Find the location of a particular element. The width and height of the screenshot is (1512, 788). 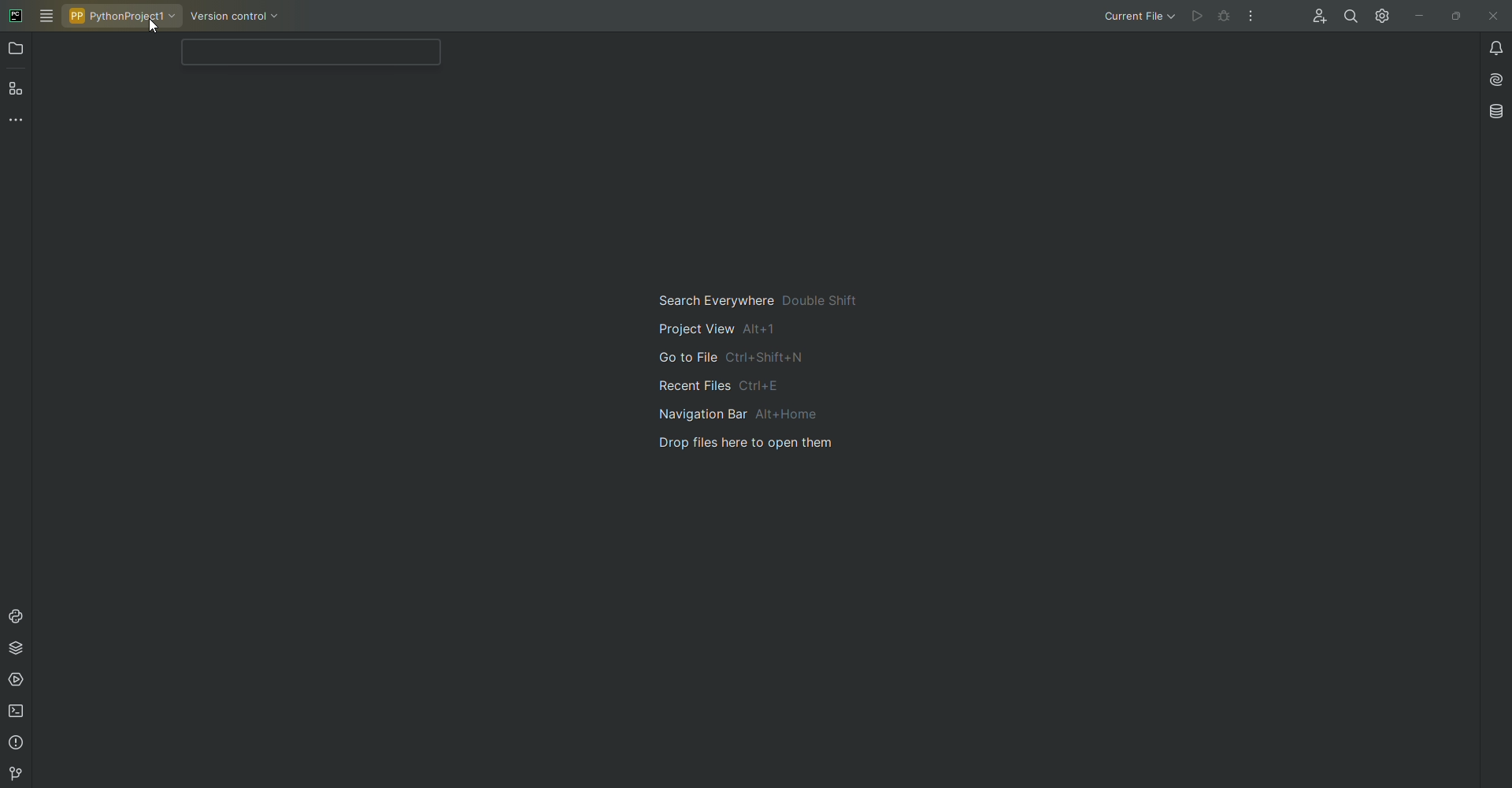

Packages is located at coordinates (21, 651).